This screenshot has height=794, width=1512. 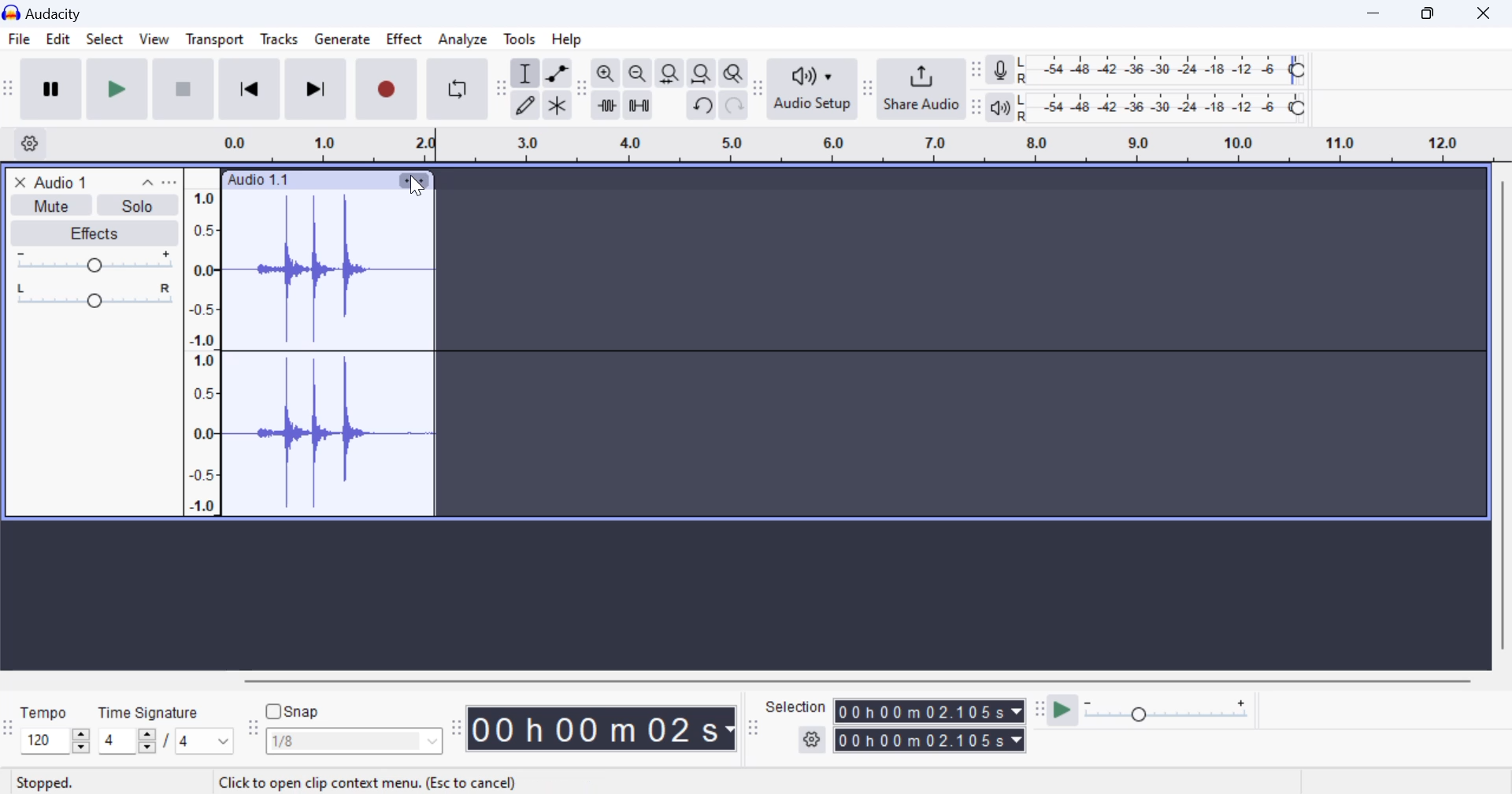 I want to click on open menu, so click(x=169, y=182).